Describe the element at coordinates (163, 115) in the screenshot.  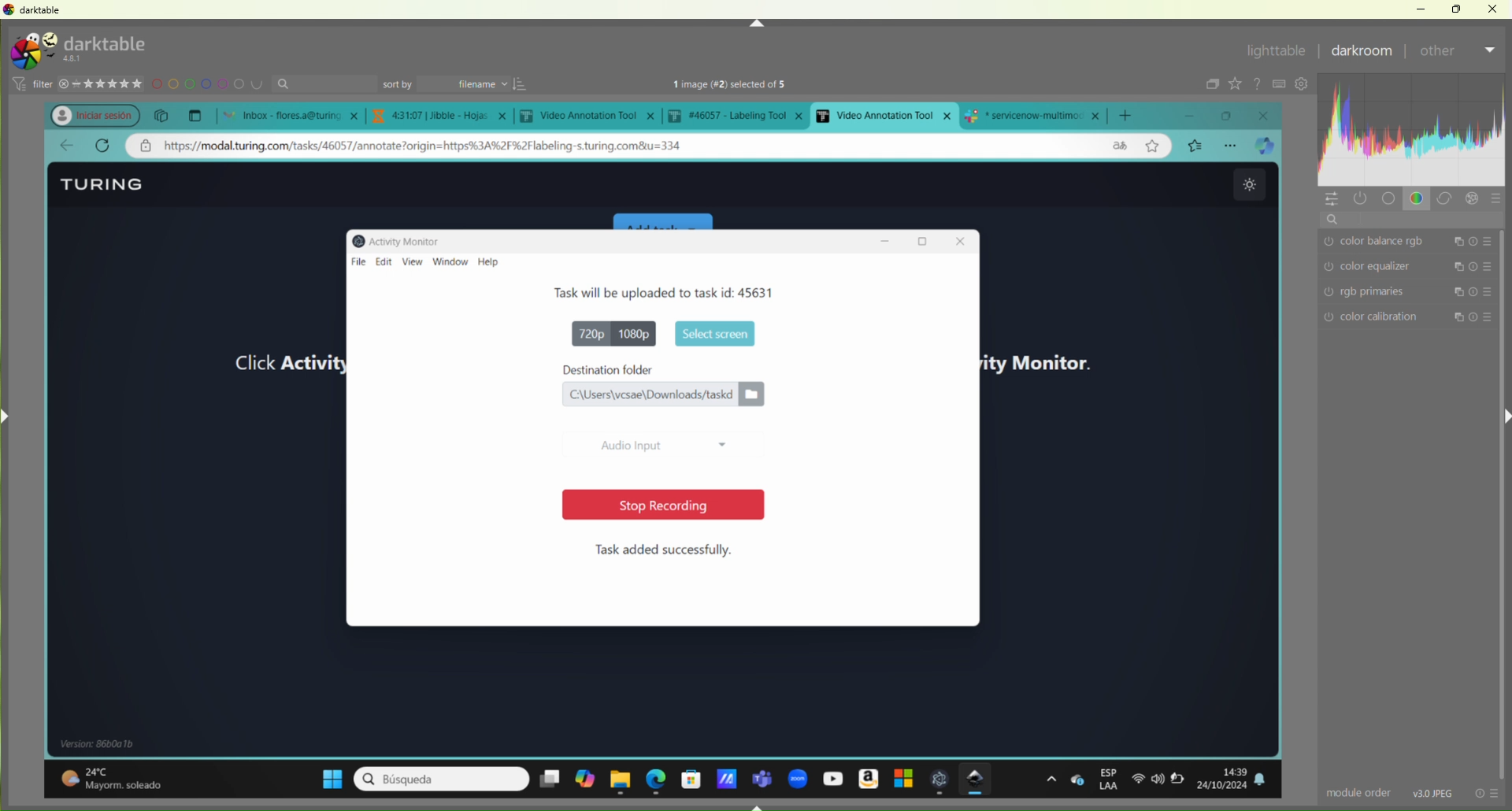
I see `copy` at that location.